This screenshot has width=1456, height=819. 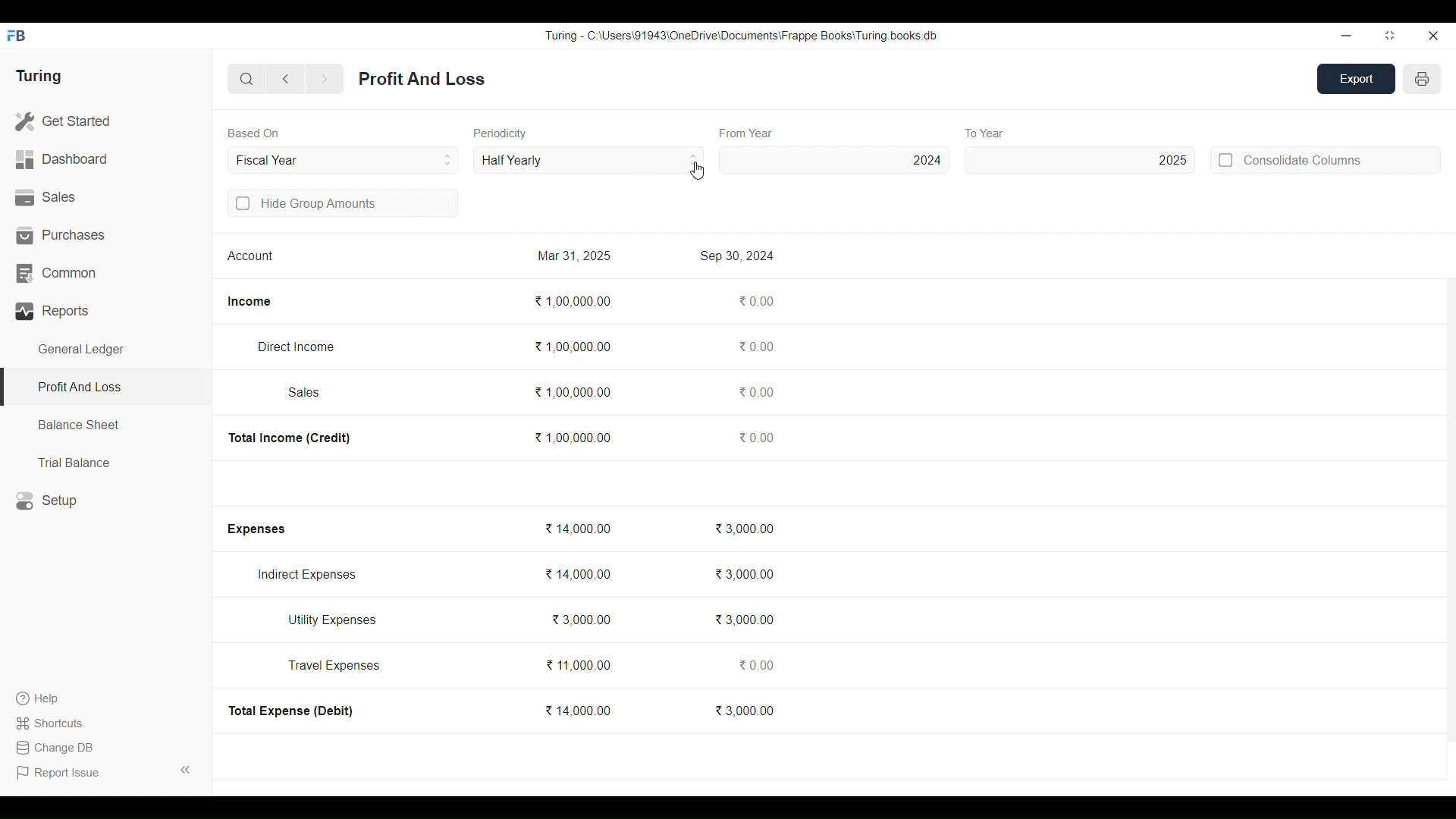 I want to click on Change DB, so click(x=54, y=748).